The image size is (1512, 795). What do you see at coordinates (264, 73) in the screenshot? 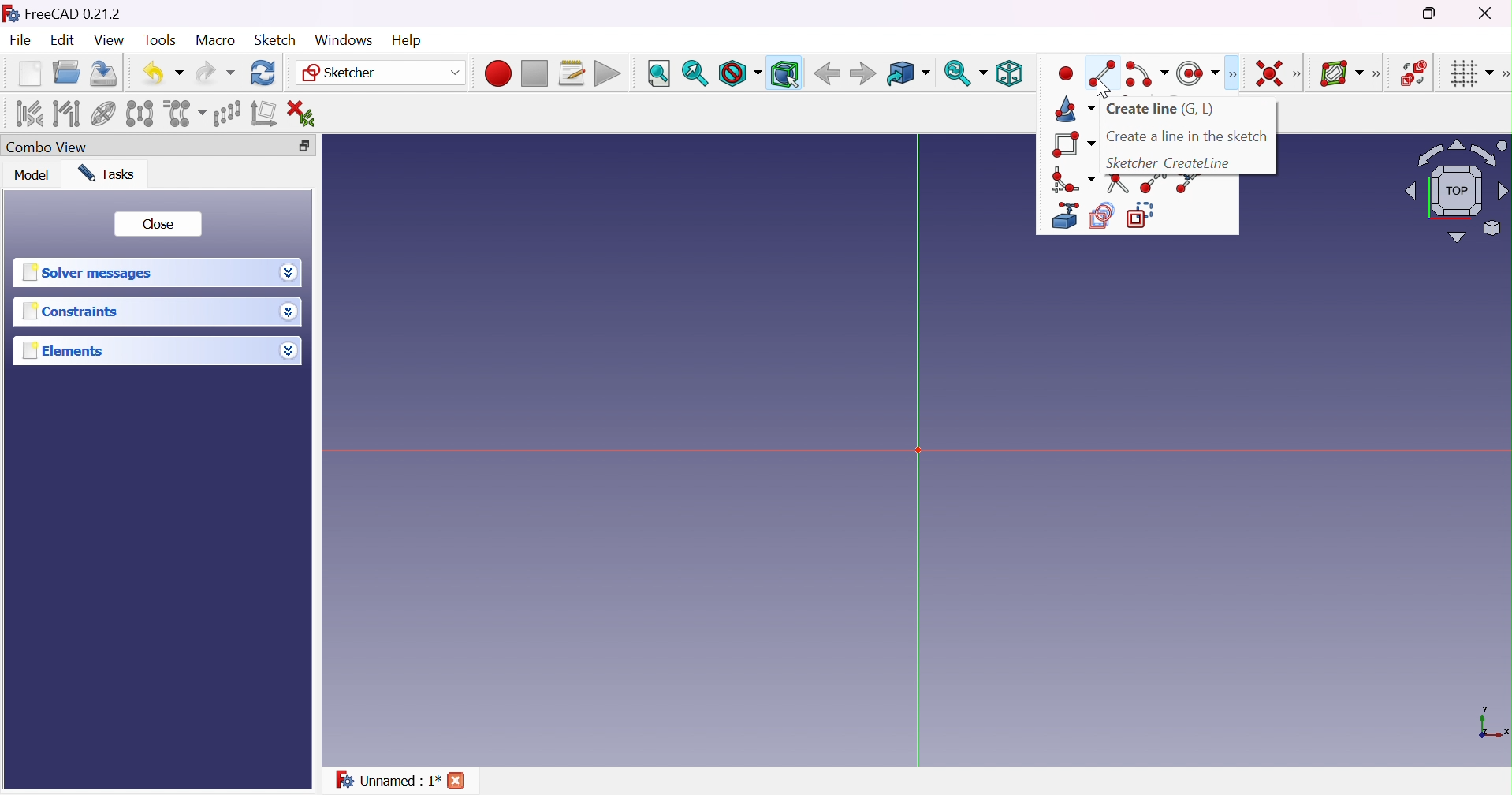
I see `Refresh` at bounding box center [264, 73].